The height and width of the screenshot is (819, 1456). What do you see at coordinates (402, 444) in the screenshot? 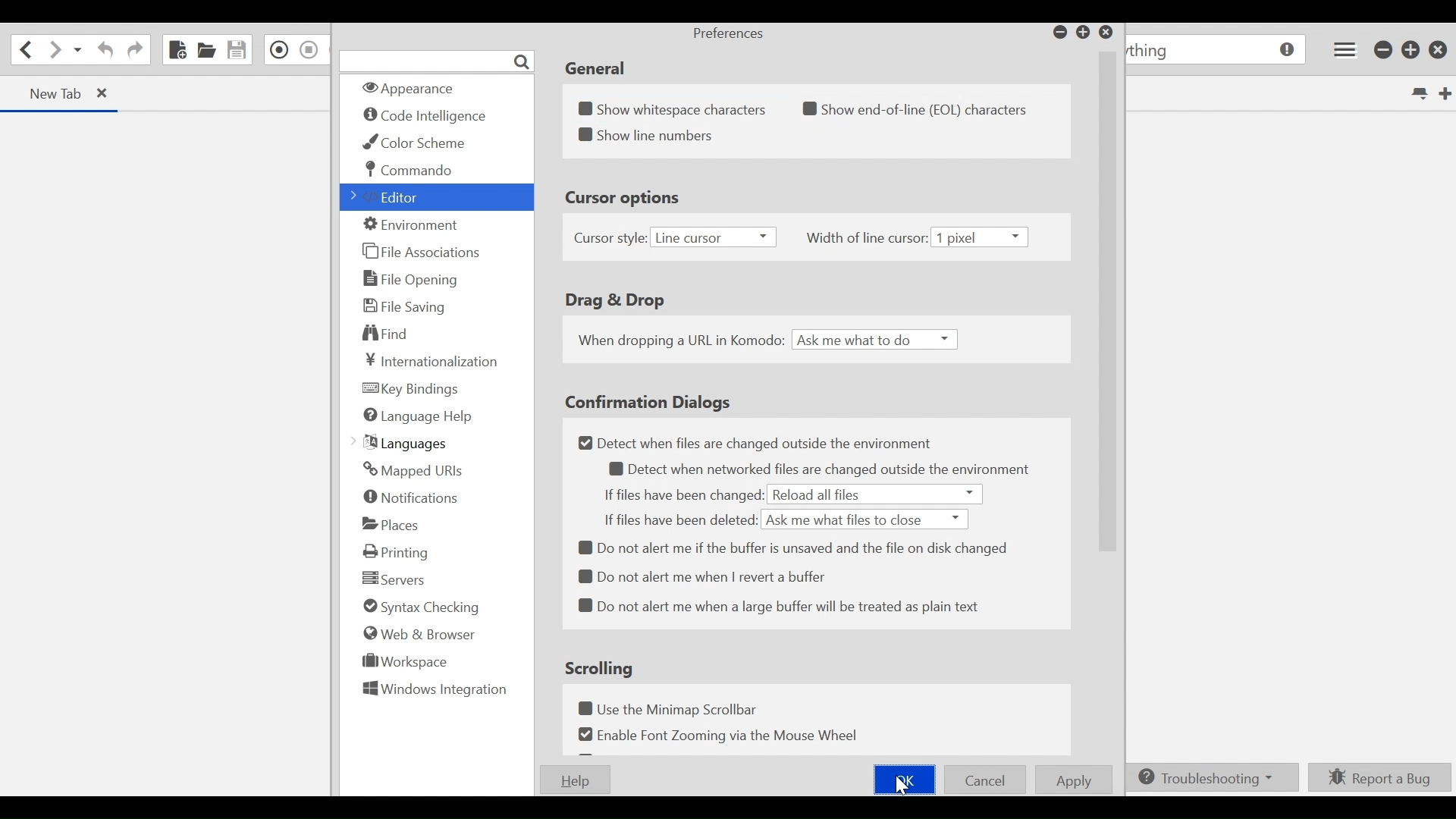
I see `Languages` at bounding box center [402, 444].